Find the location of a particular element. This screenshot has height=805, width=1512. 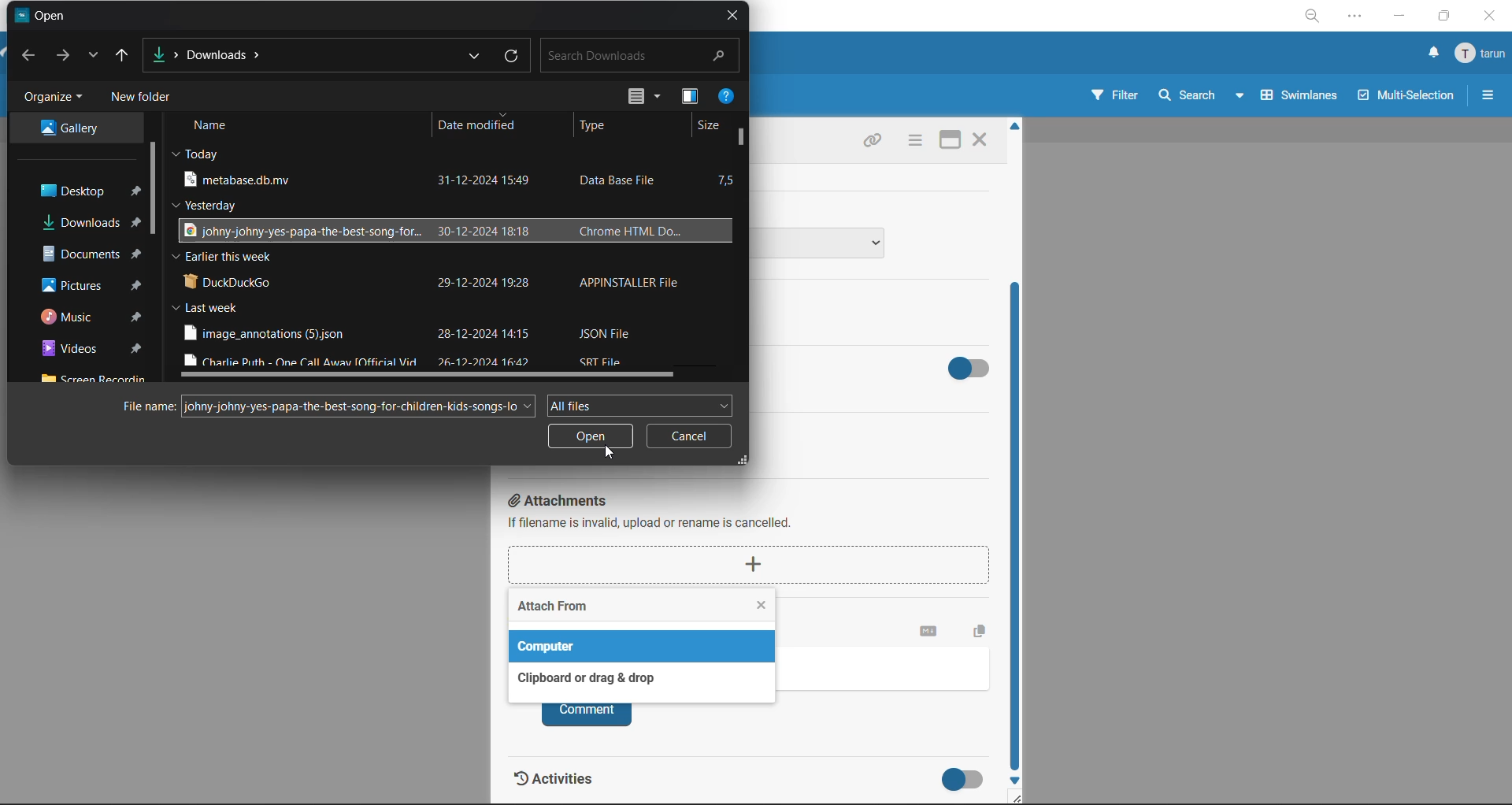

vertical scroll bar is located at coordinates (158, 191).